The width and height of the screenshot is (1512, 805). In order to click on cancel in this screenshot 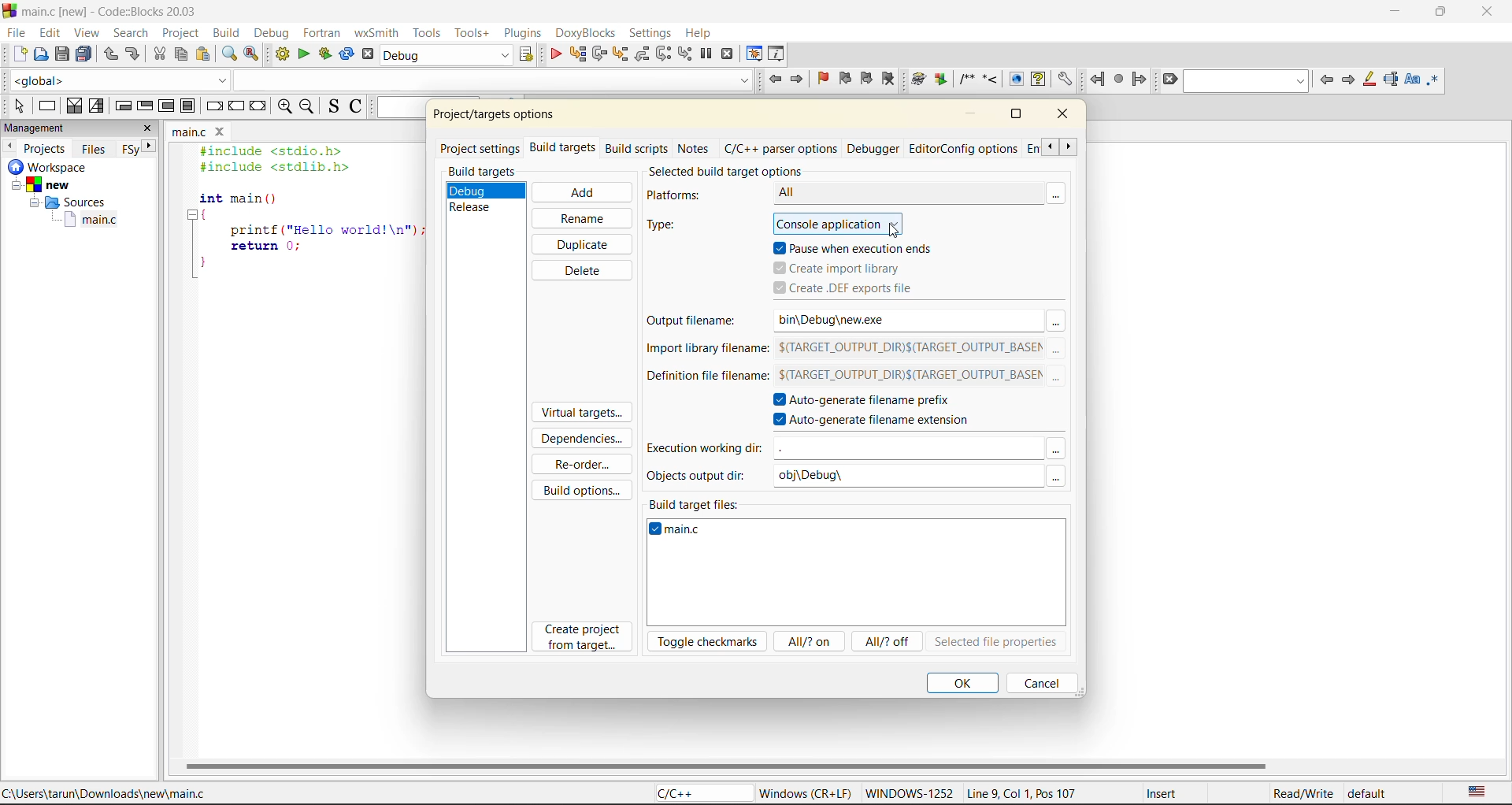, I will do `click(1043, 683)`.